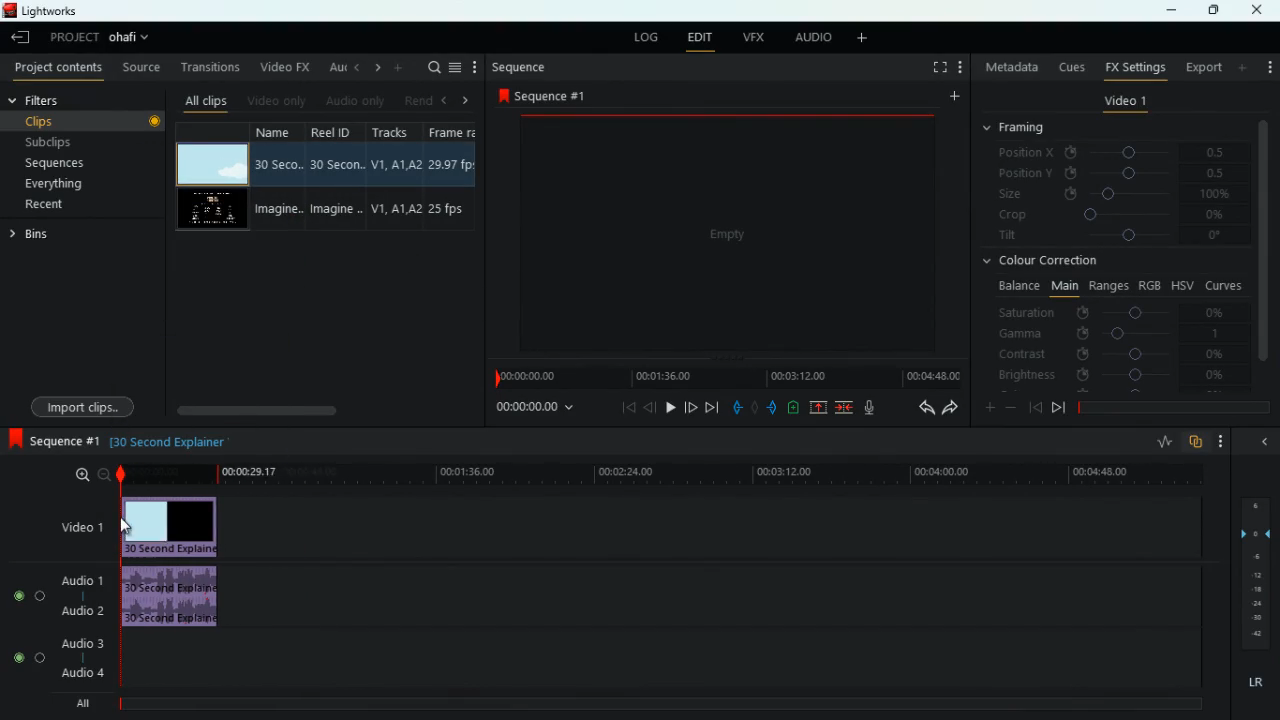 The image size is (1280, 720). I want to click on , so click(155, 123).